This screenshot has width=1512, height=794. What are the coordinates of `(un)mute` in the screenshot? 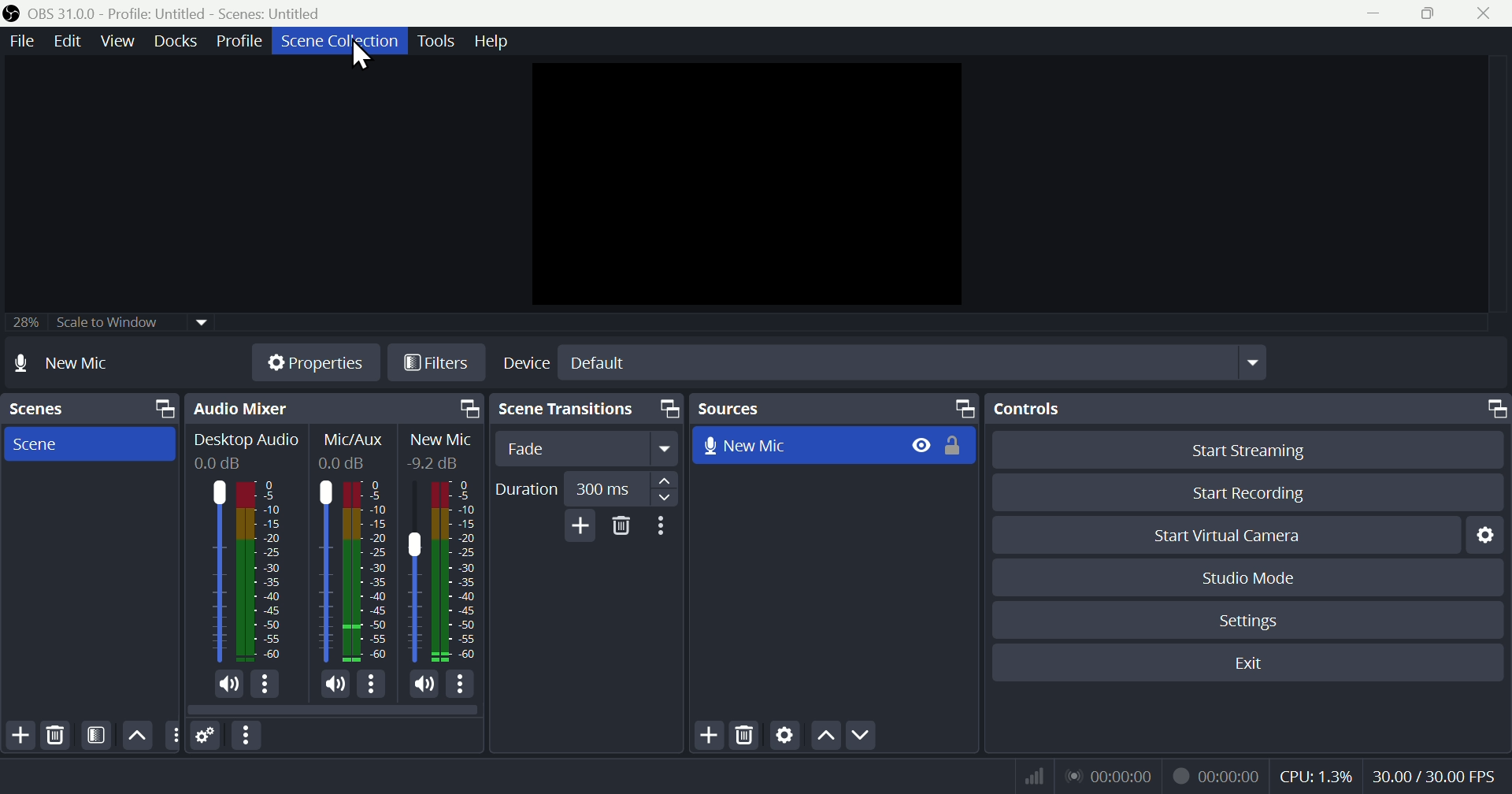 It's located at (425, 686).